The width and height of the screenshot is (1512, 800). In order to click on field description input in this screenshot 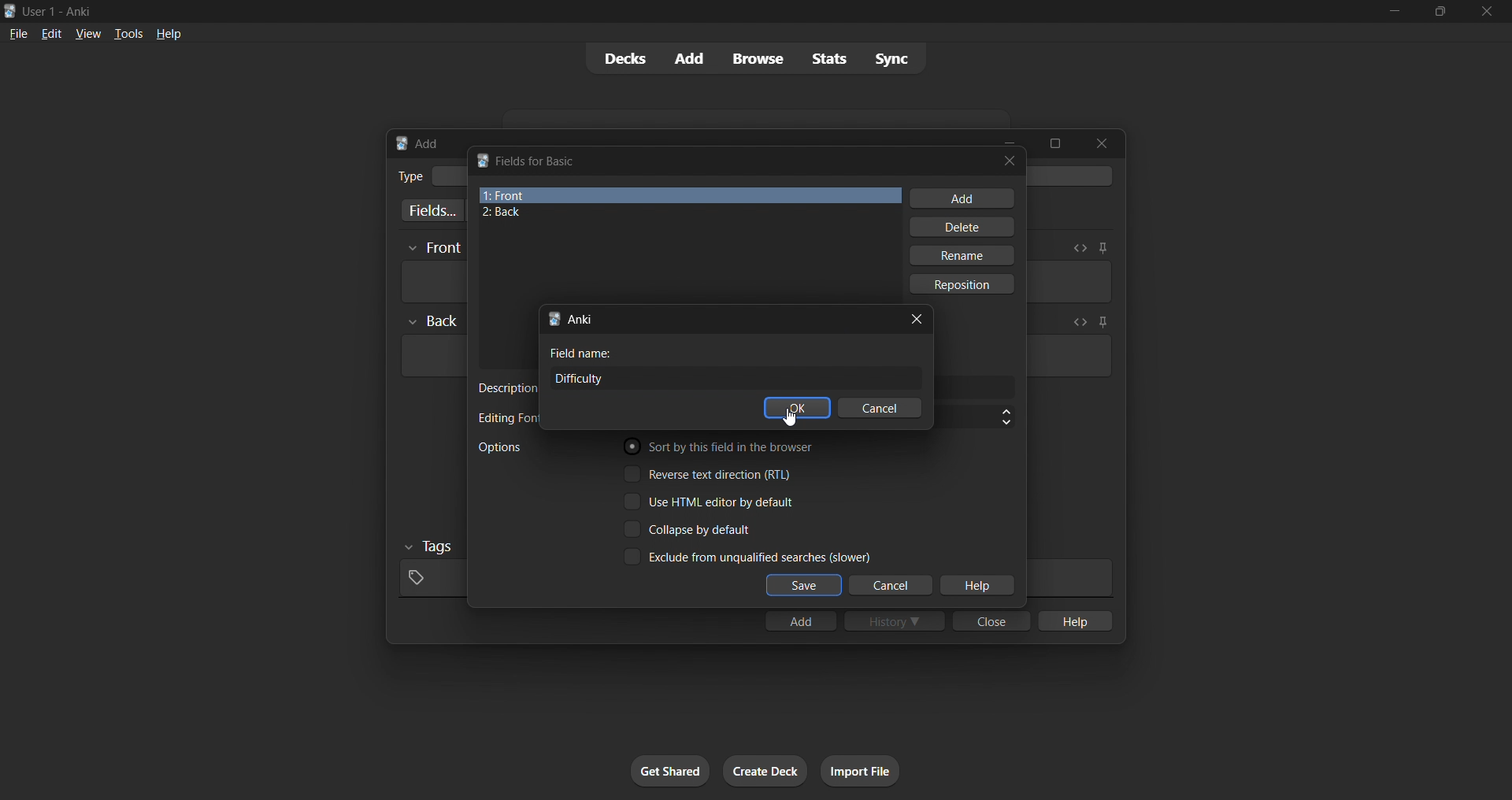, I will do `click(976, 388)`.